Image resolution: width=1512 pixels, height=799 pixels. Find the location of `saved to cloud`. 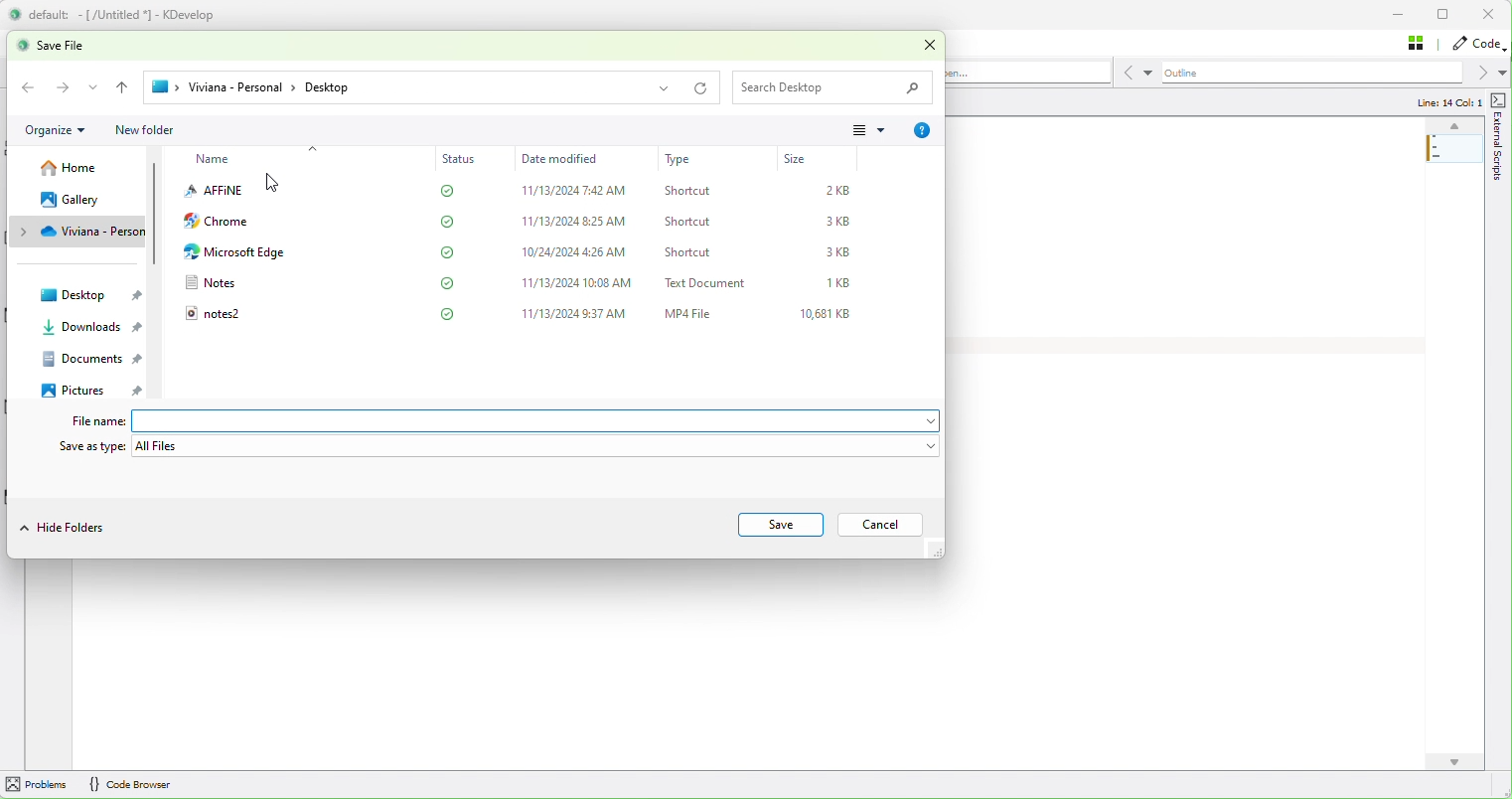

saved to cloud is located at coordinates (449, 222).